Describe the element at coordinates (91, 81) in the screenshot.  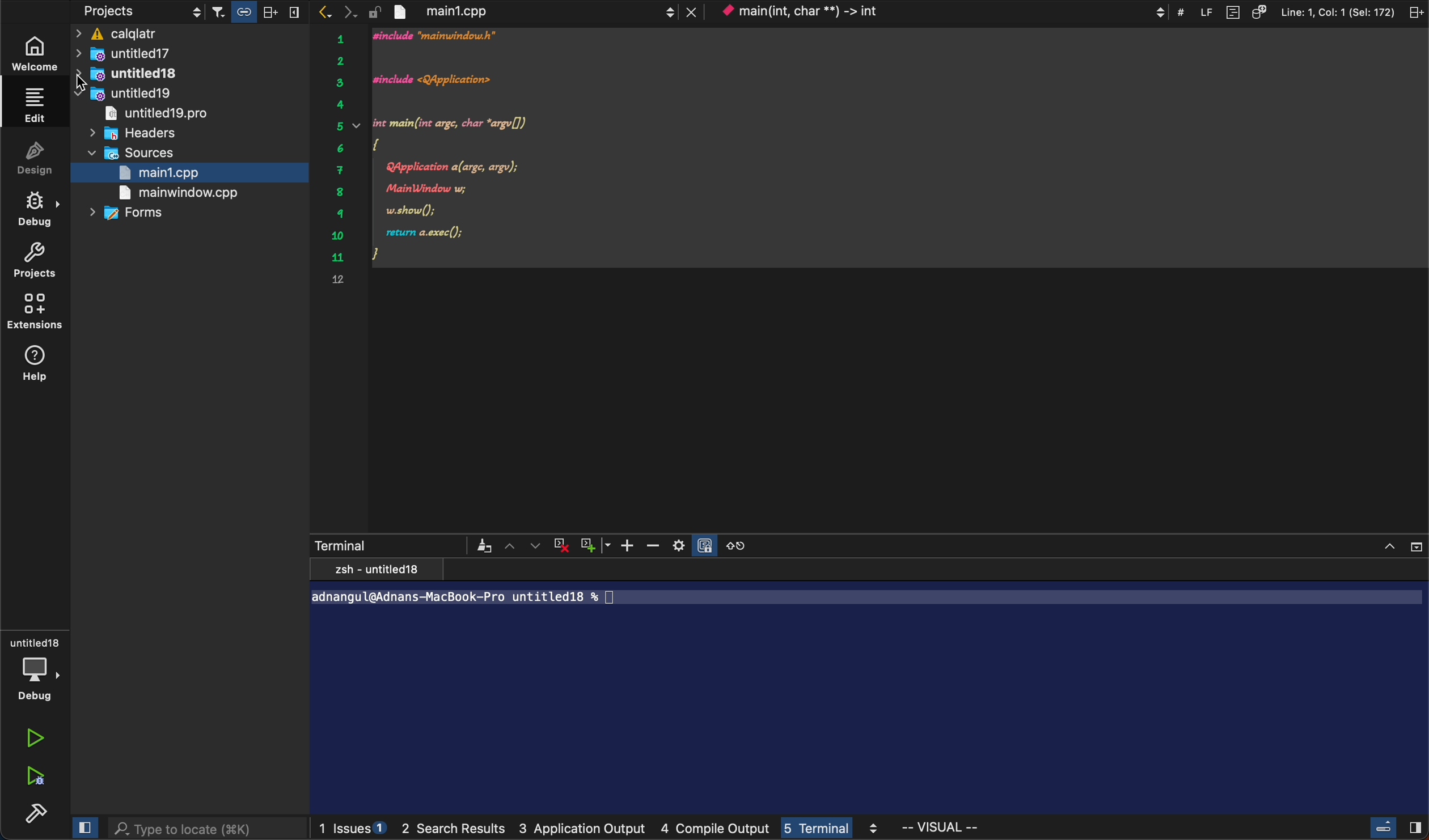
I see `cursor` at that location.